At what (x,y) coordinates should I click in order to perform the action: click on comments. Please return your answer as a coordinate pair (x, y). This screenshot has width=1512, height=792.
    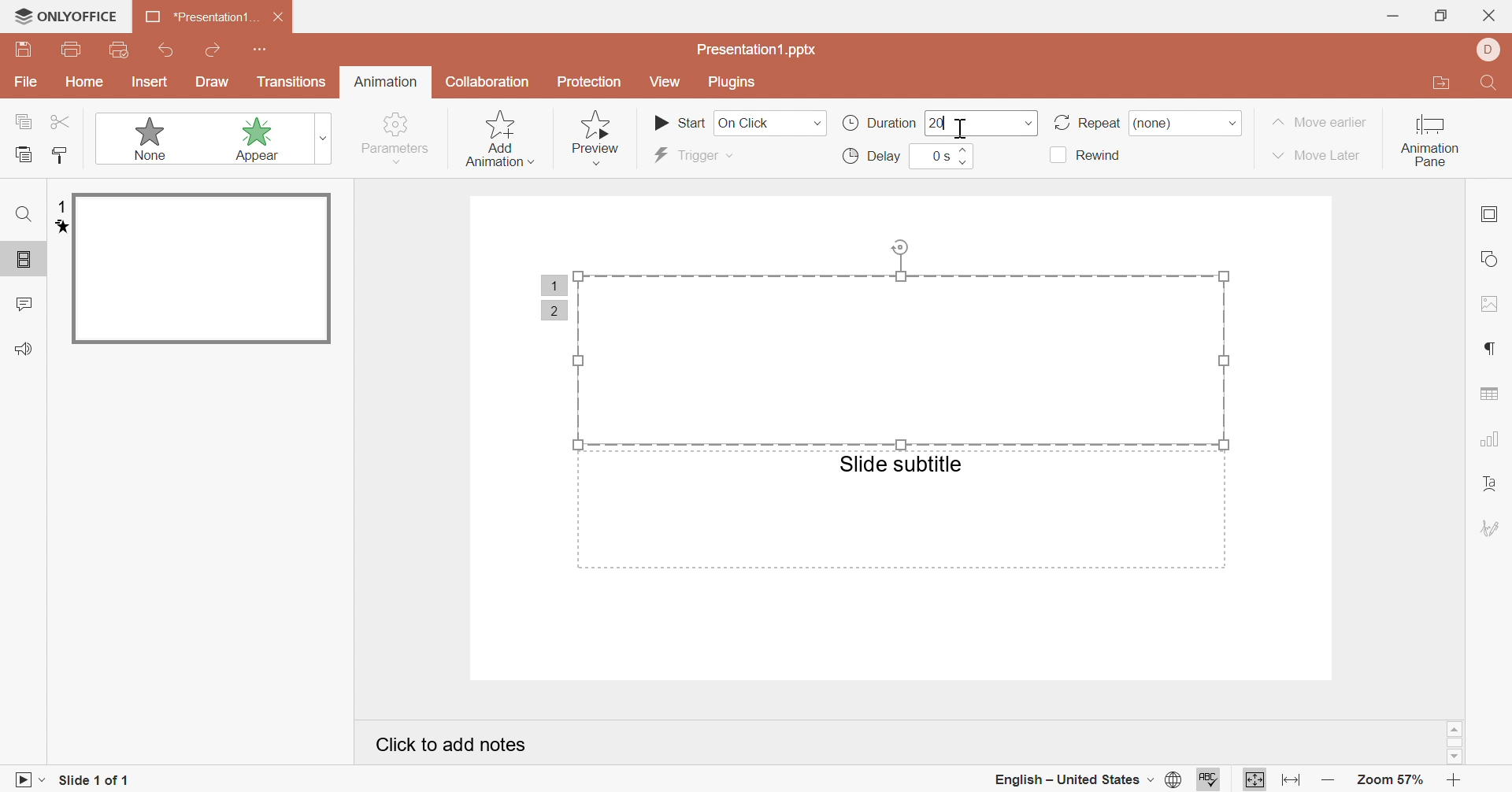
    Looking at the image, I should click on (23, 302).